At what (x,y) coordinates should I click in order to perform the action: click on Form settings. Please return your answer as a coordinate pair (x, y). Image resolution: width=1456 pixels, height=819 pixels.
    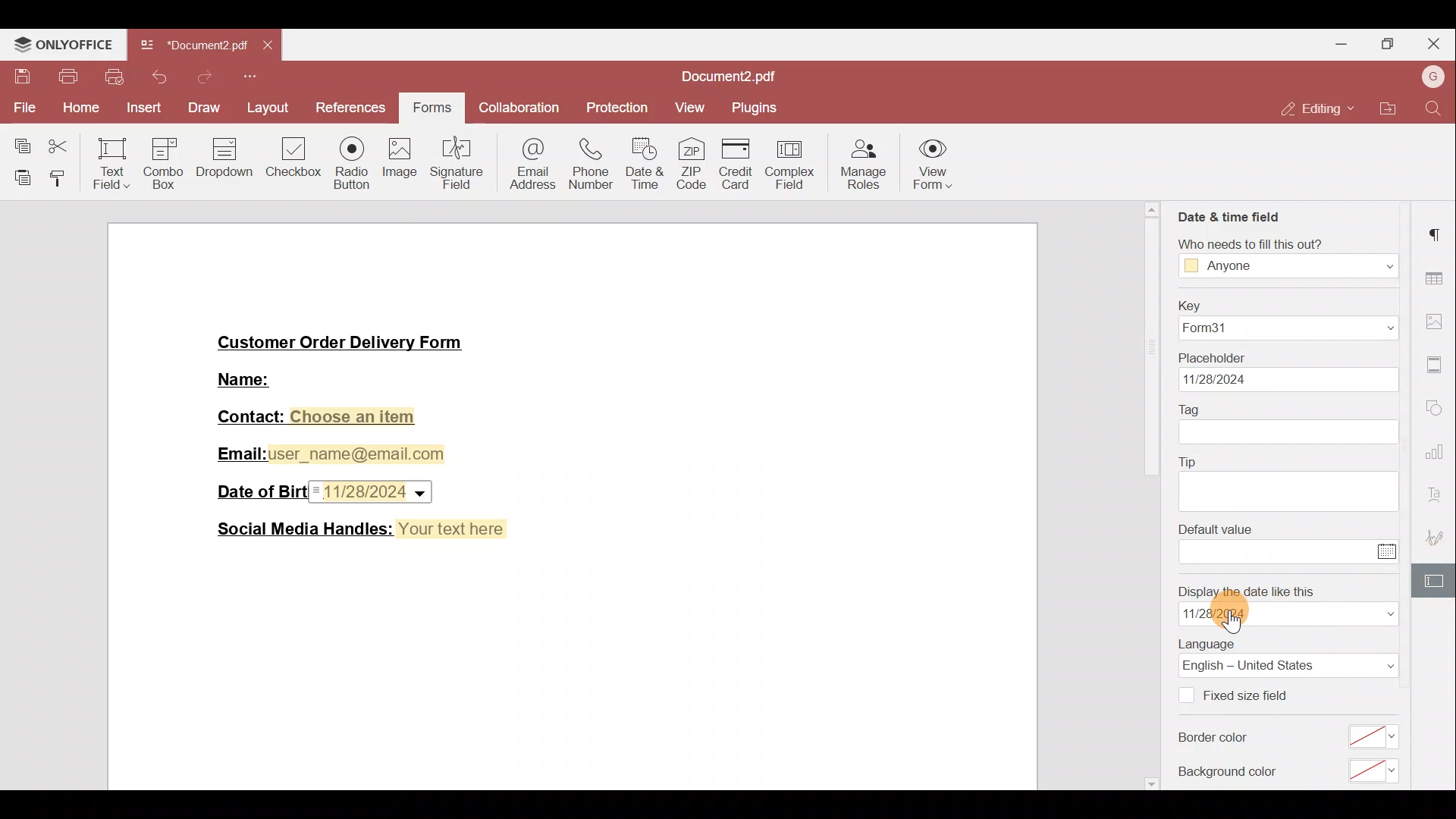
    Looking at the image, I should click on (1437, 583).